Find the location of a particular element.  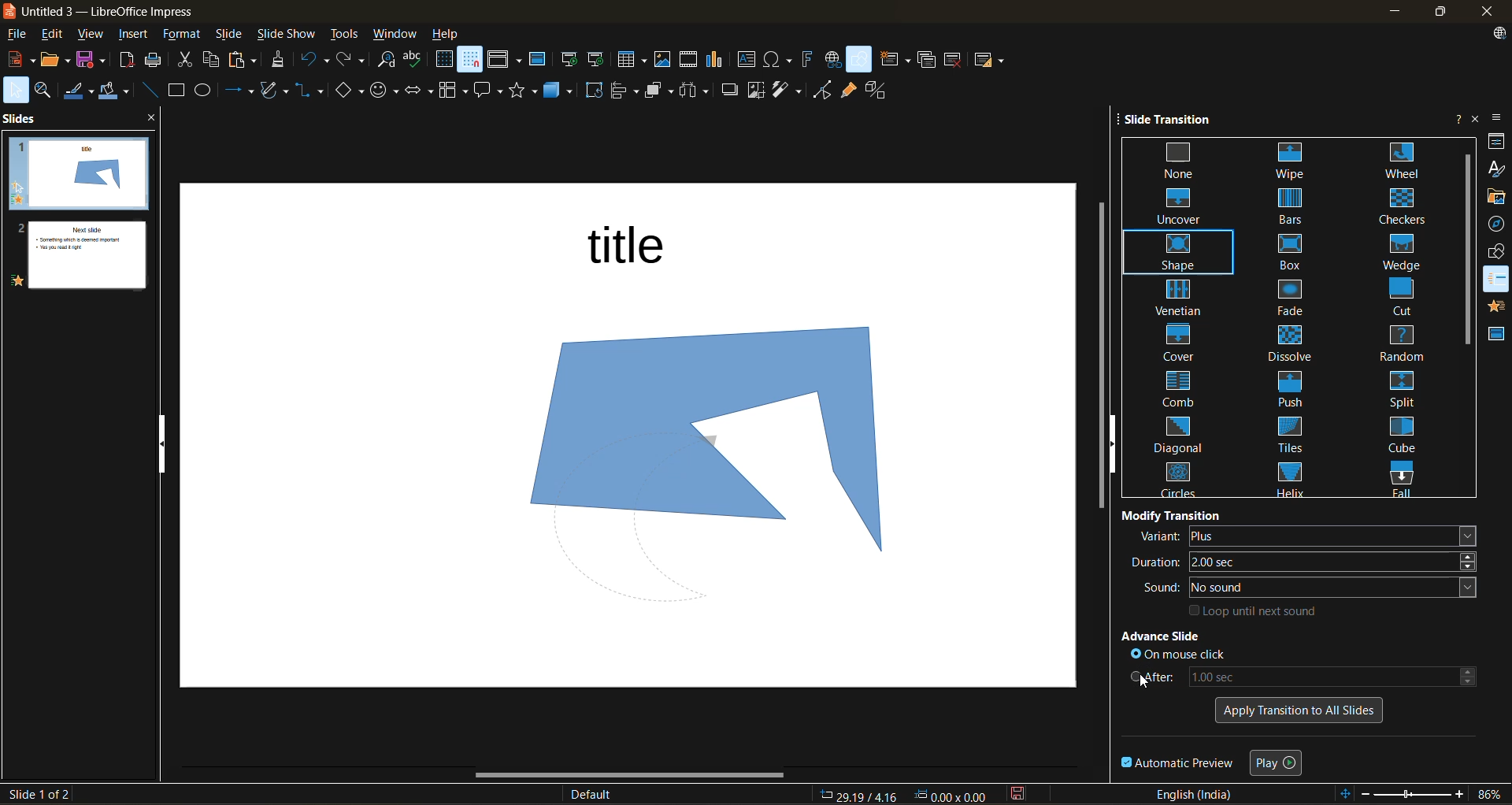

insert framework text is located at coordinates (809, 61).